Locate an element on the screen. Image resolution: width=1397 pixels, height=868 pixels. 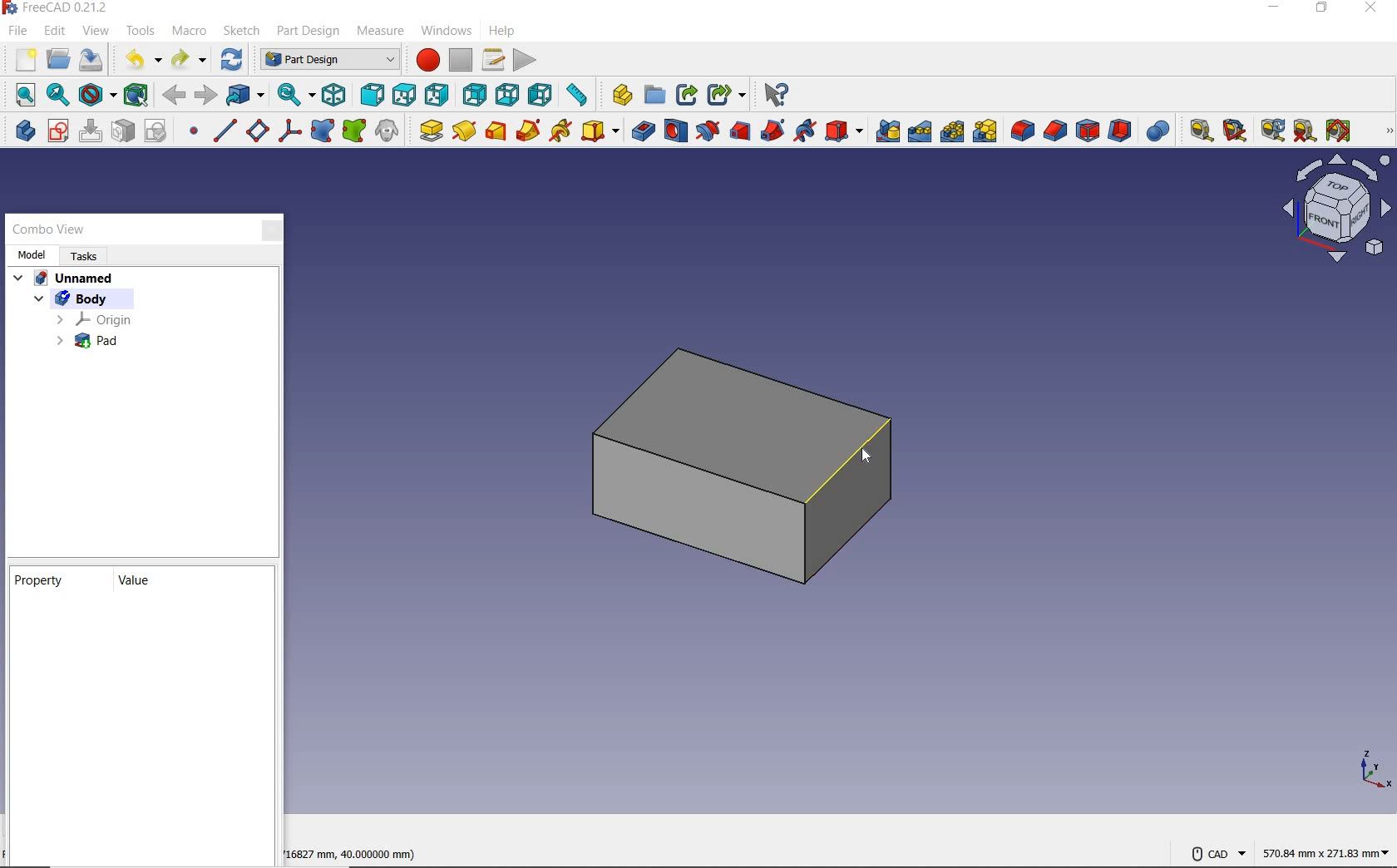
hole is located at coordinates (676, 131).